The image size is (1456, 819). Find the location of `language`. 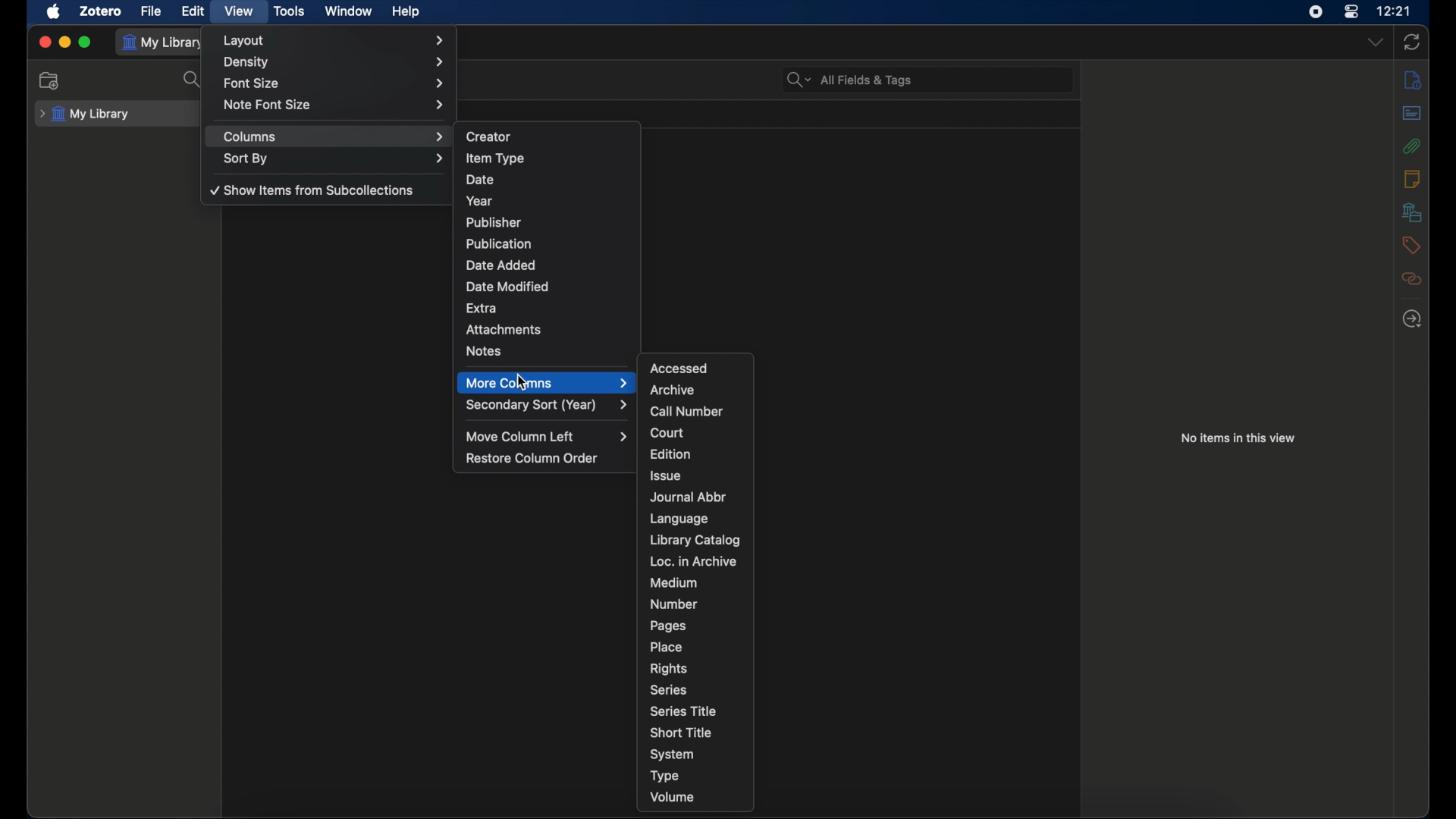

language is located at coordinates (679, 519).